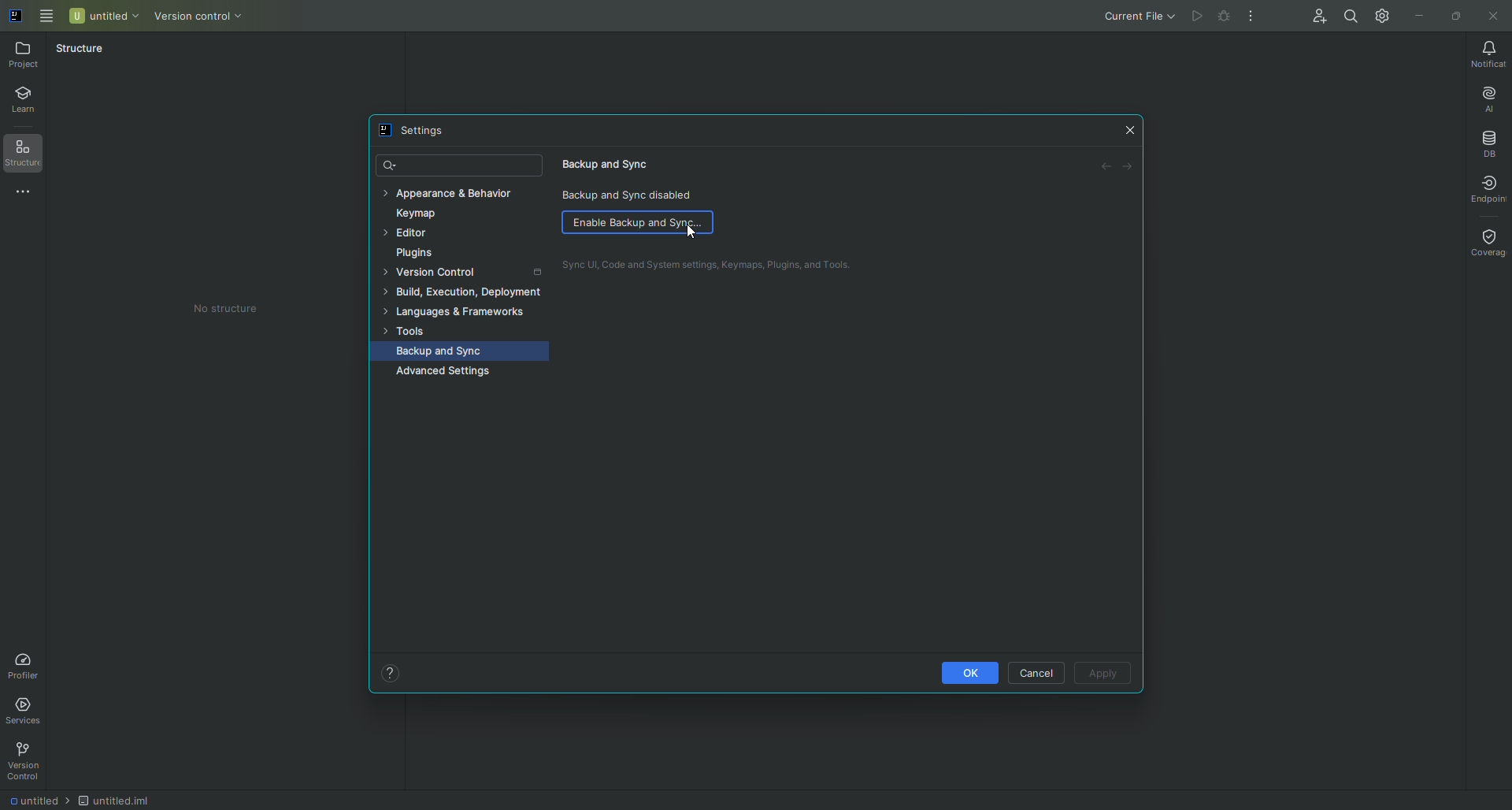 This screenshot has width=1512, height=810. I want to click on Endpoint, so click(1482, 188).